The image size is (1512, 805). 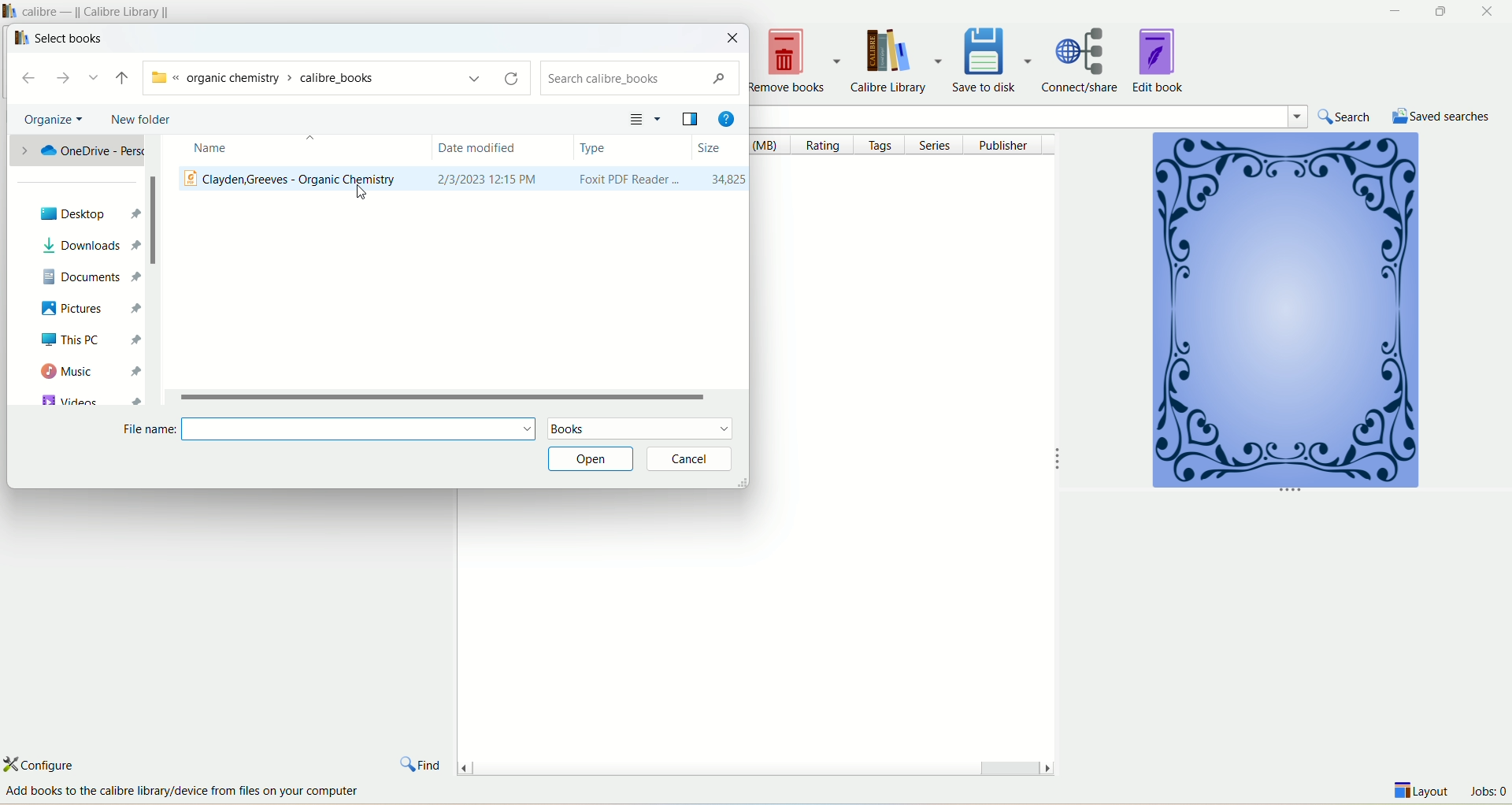 What do you see at coordinates (754, 764) in the screenshot?
I see `horizontal scroll bar` at bounding box center [754, 764].